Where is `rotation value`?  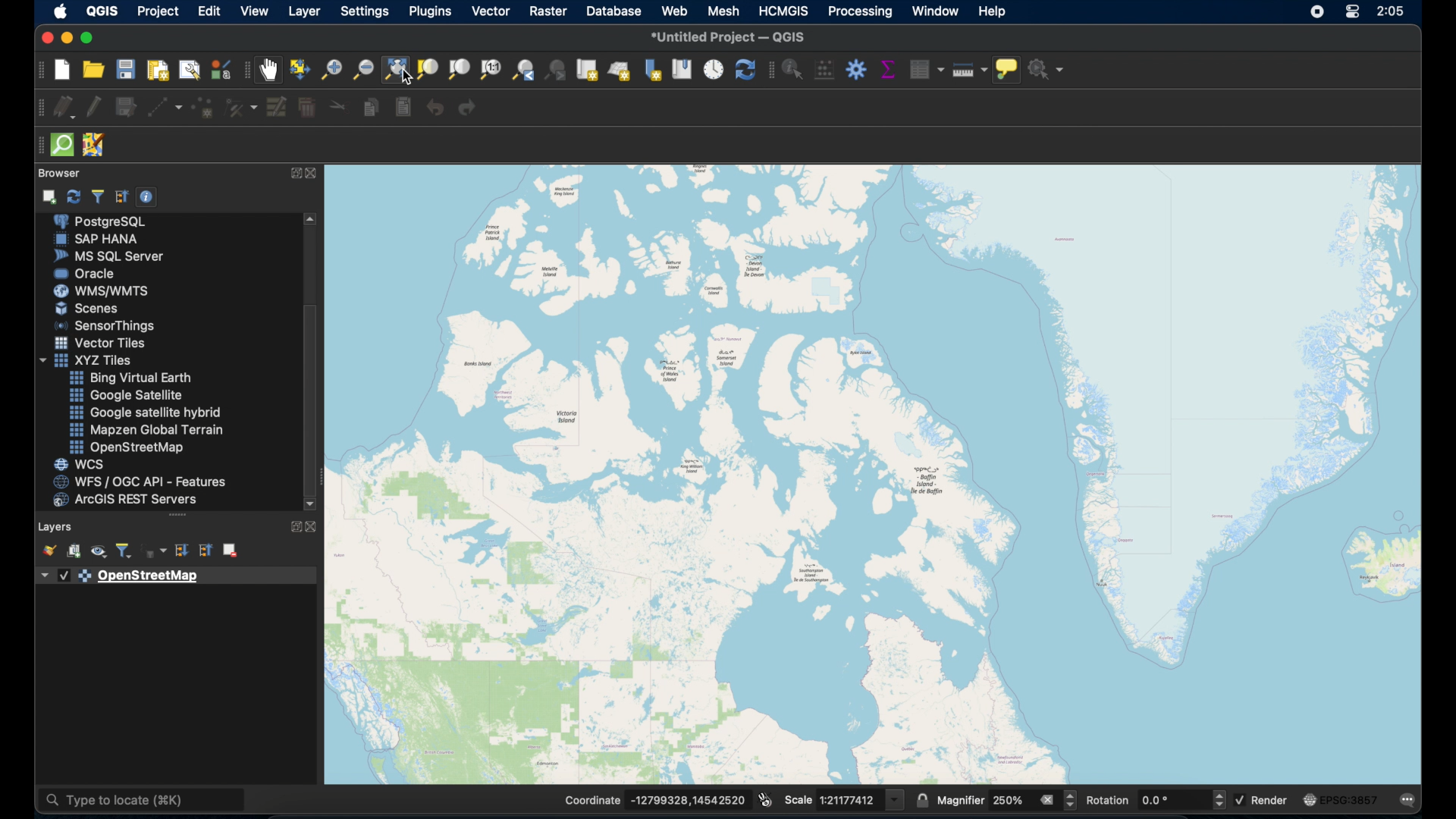 rotation value is located at coordinates (1173, 800).